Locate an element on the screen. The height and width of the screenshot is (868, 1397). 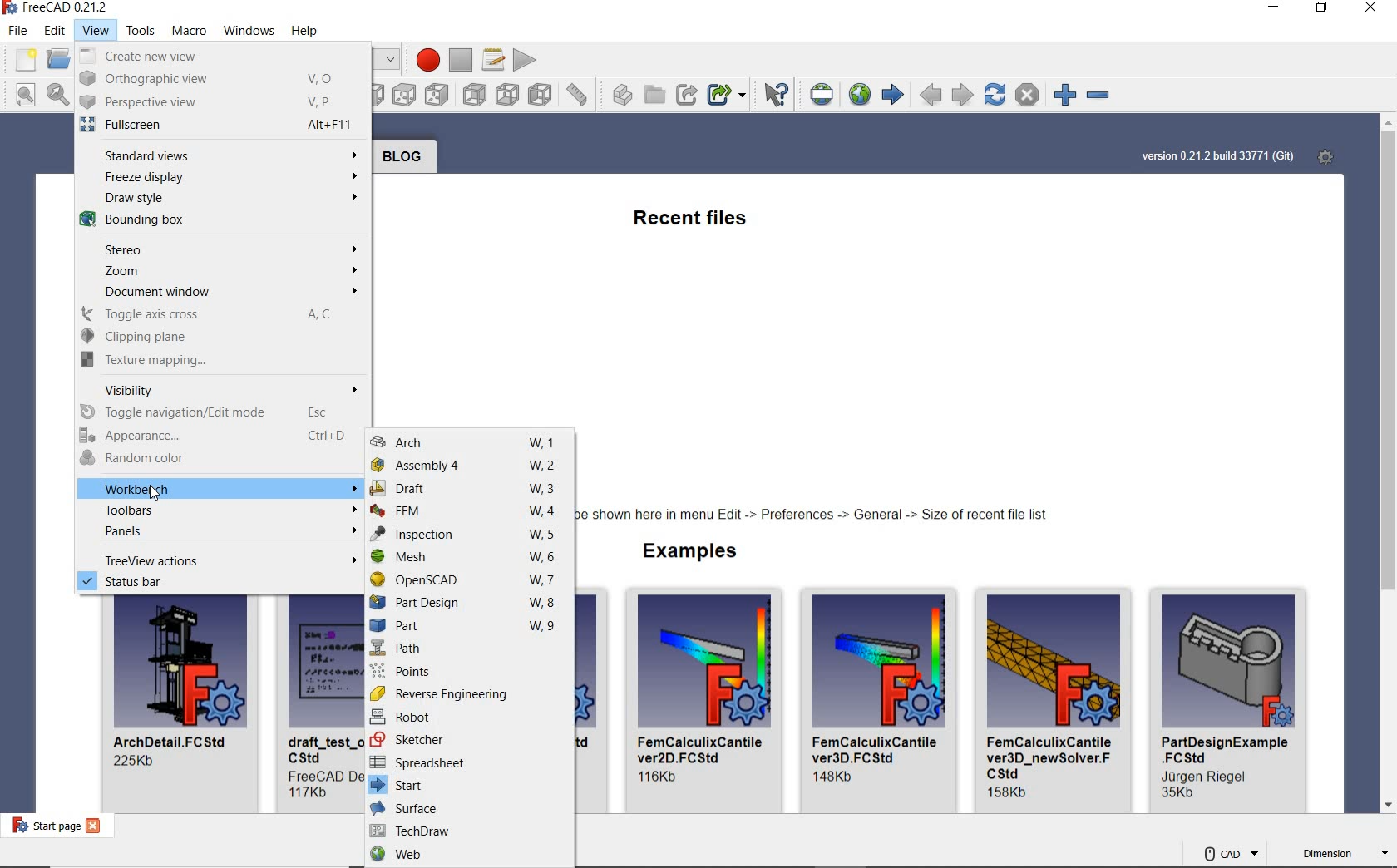
cursor is located at coordinates (154, 494).